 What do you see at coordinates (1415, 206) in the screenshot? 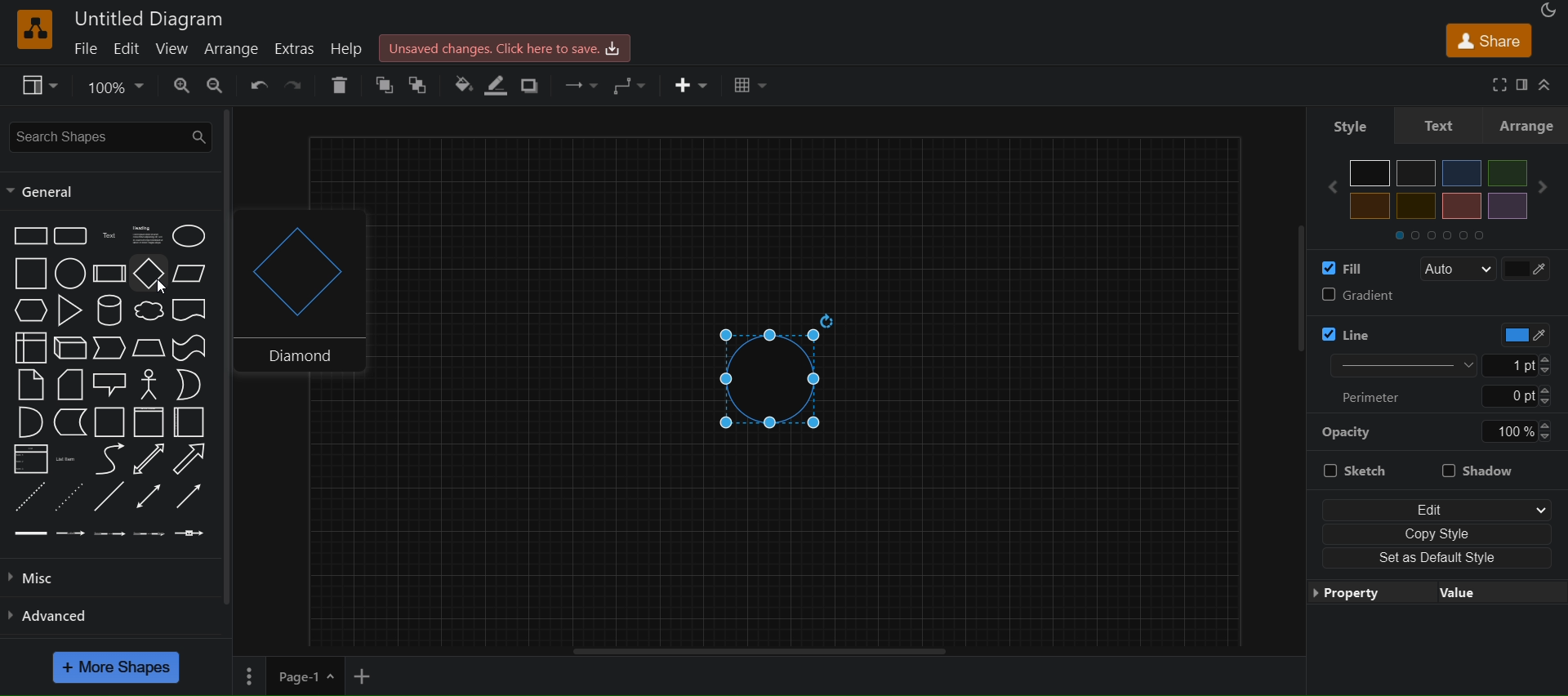
I see `light yellow color` at bounding box center [1415, 206].